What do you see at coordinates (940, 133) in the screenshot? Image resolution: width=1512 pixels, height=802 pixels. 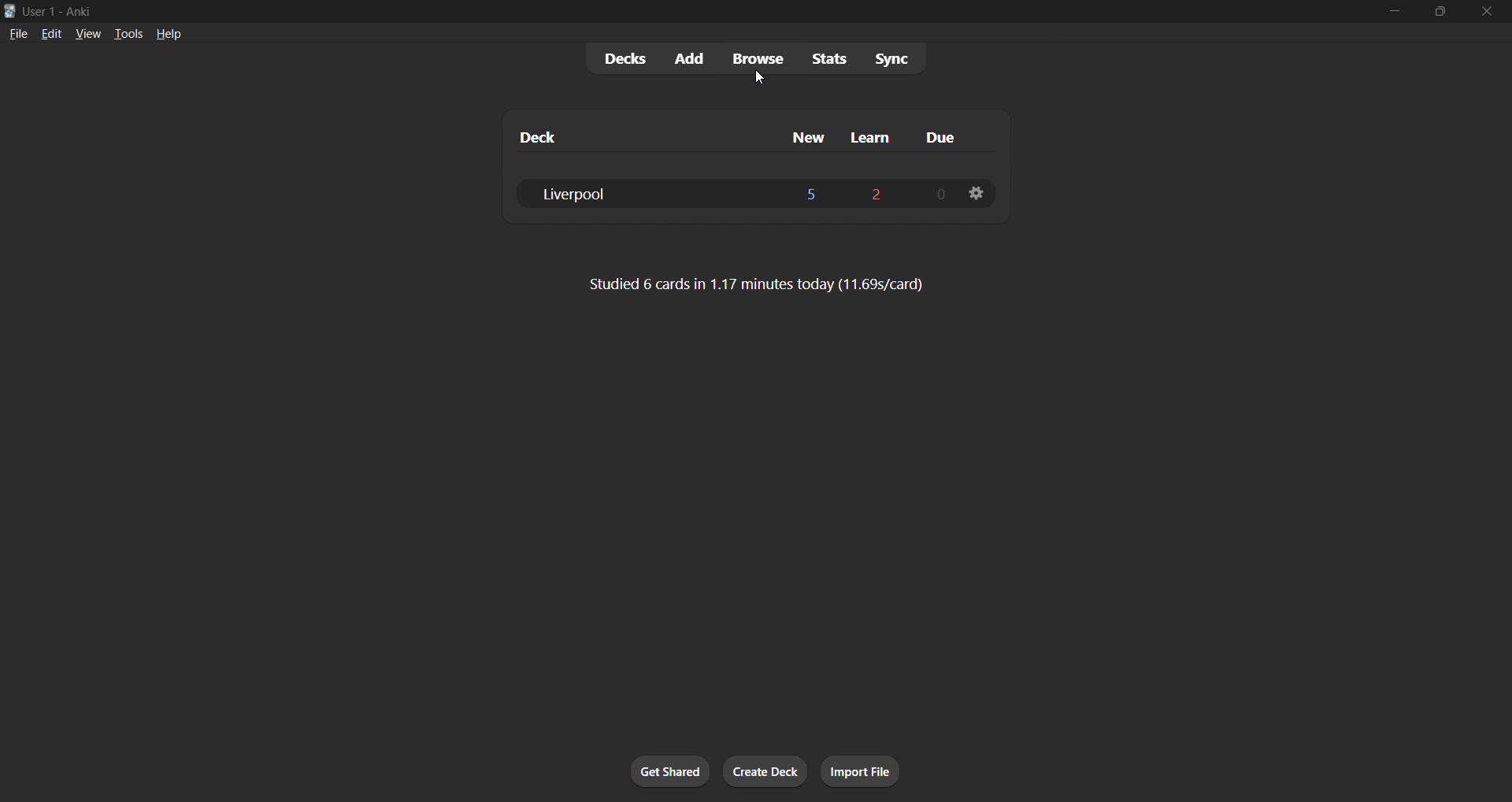 I see `due cards` at bounding box center [940, 133].